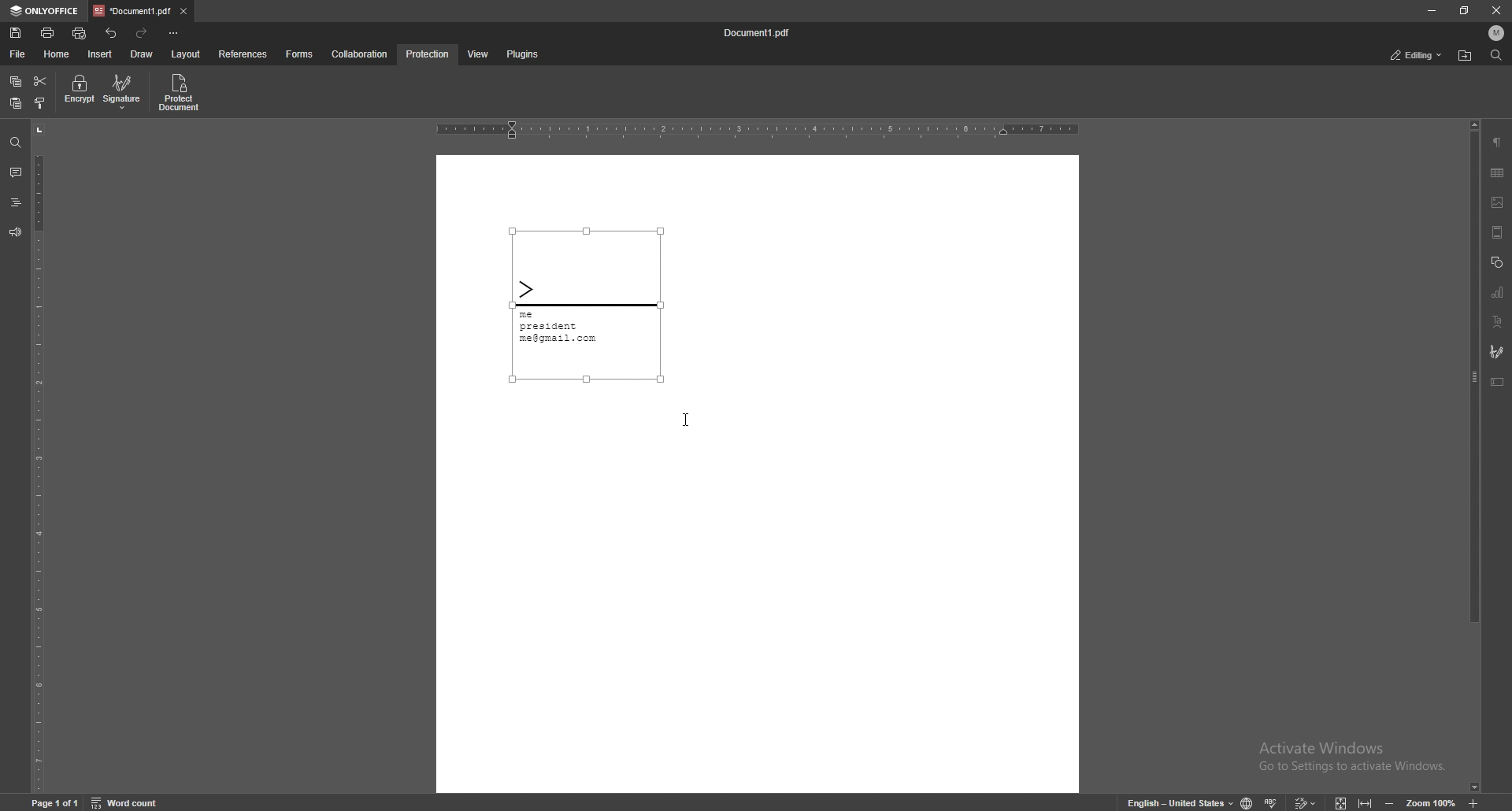  What do you see at coordinates (1367, 800) in the screenshot?
I see `fit to width` at bounding box center [1367, 800].